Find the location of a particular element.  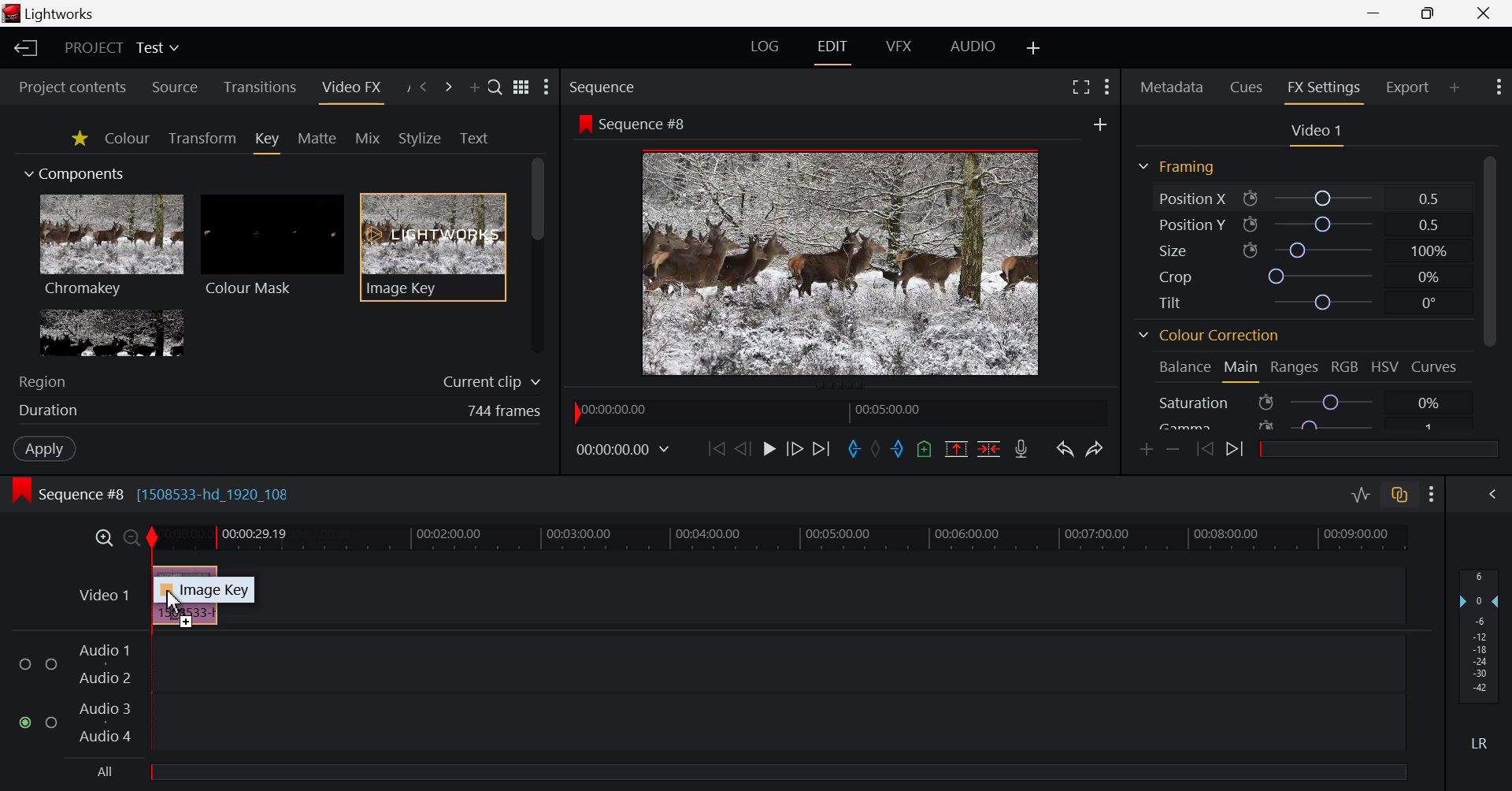

icon is located at coordinates (1265, 425).